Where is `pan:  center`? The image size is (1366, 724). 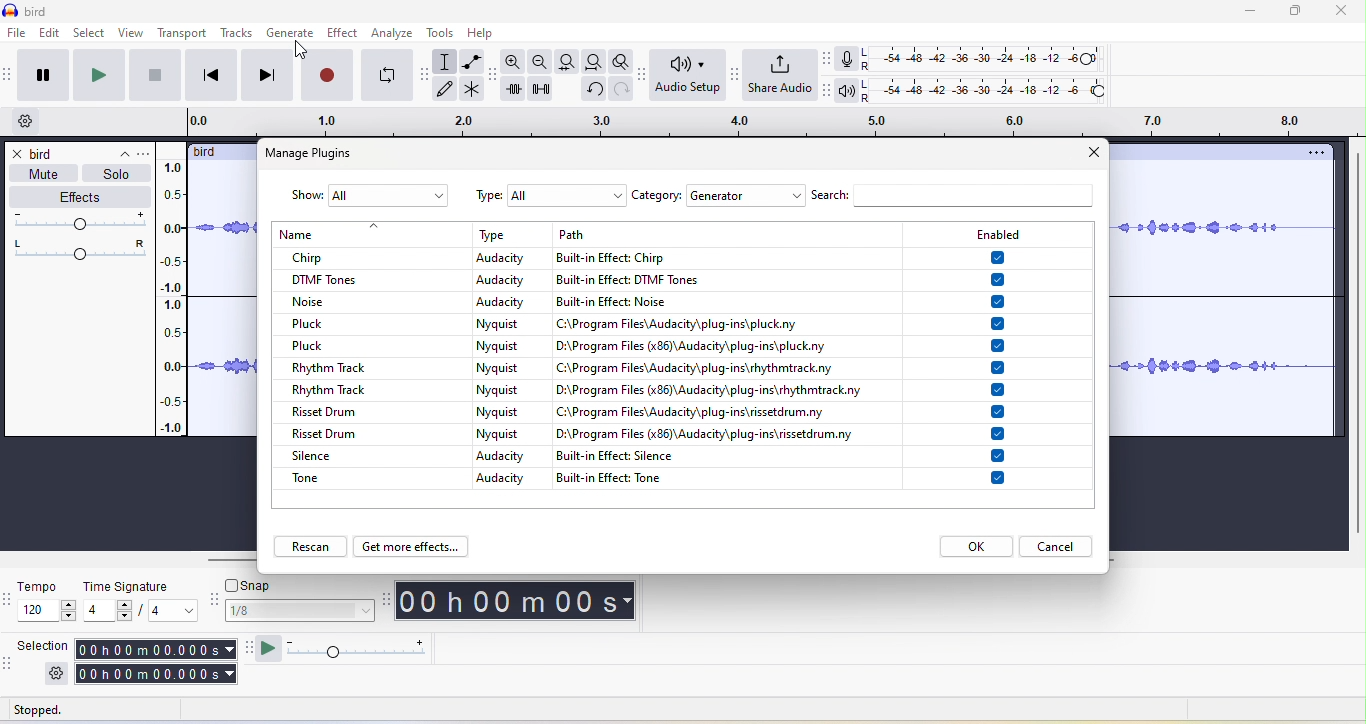 pan:  center is located at coordinates (78, 250).